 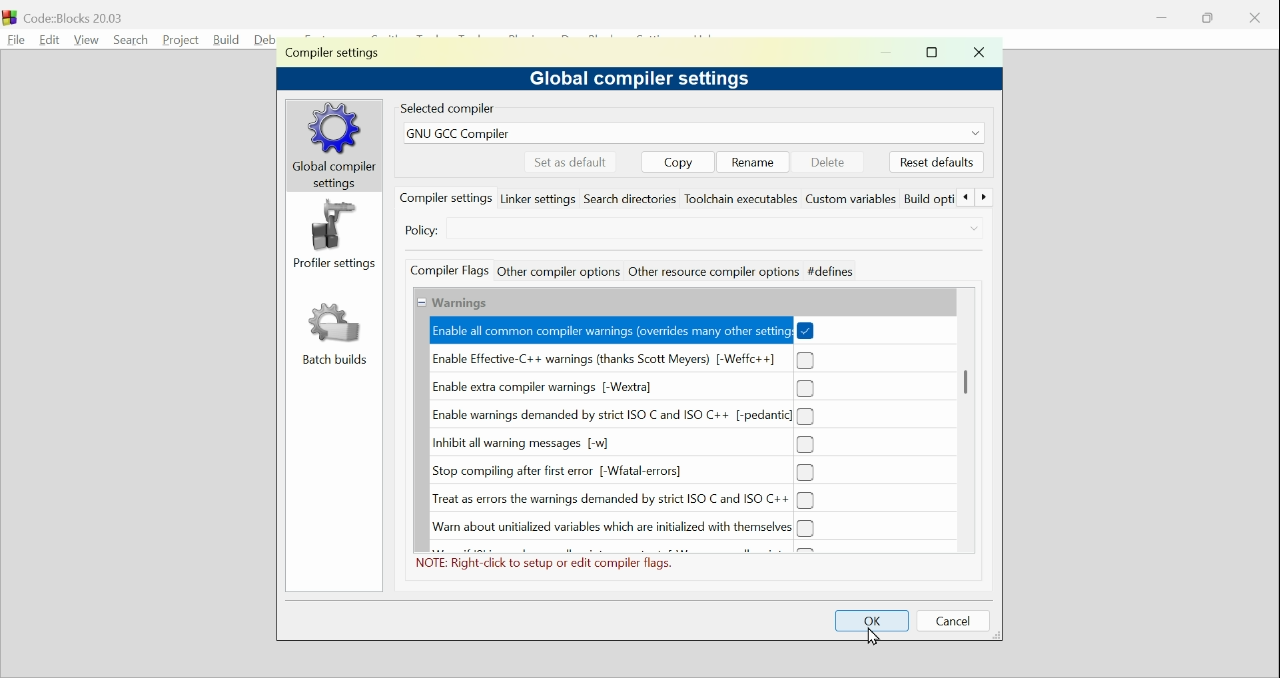 I want to click on (un)check Stop compiling after first error, so click(x=622, y=472).